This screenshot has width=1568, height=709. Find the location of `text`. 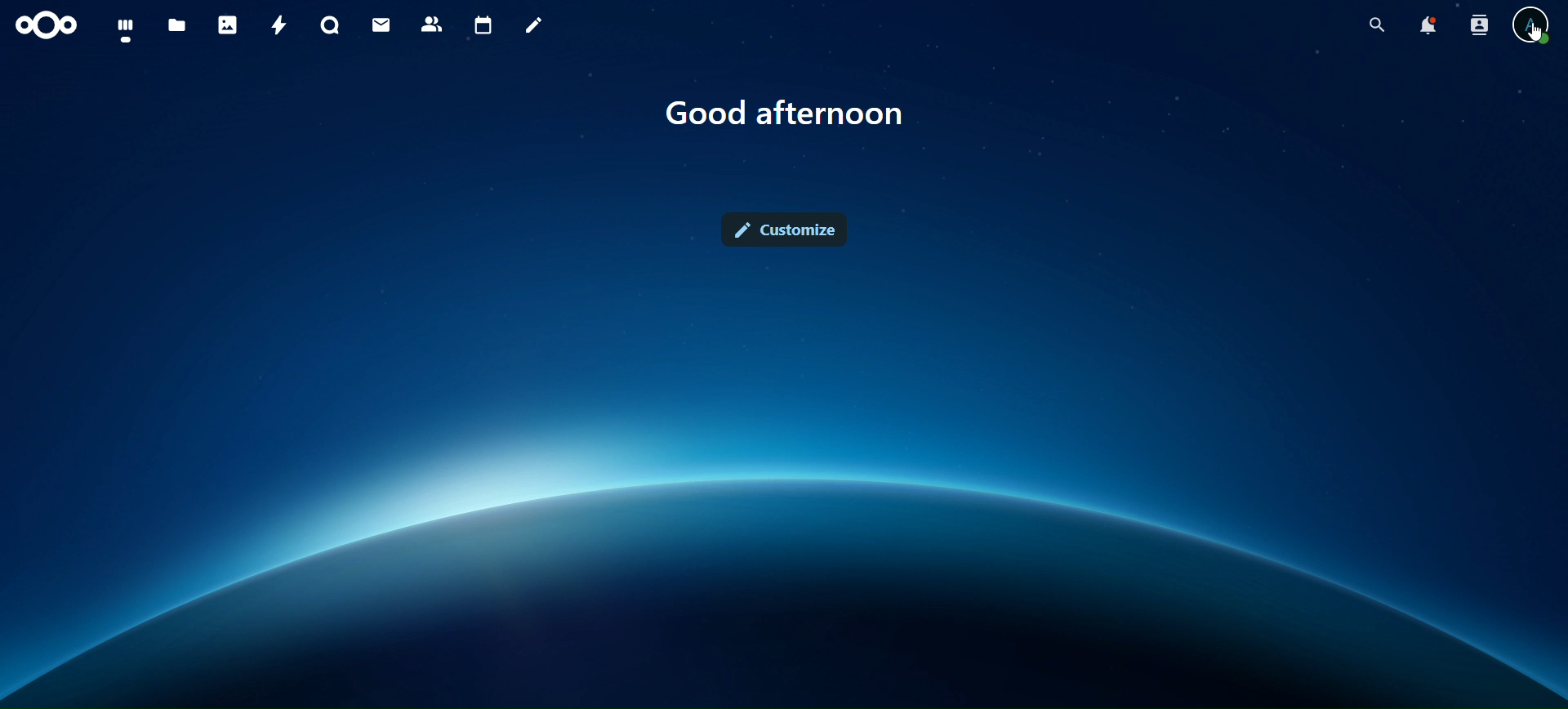

text is located at coordinates (787, 114).